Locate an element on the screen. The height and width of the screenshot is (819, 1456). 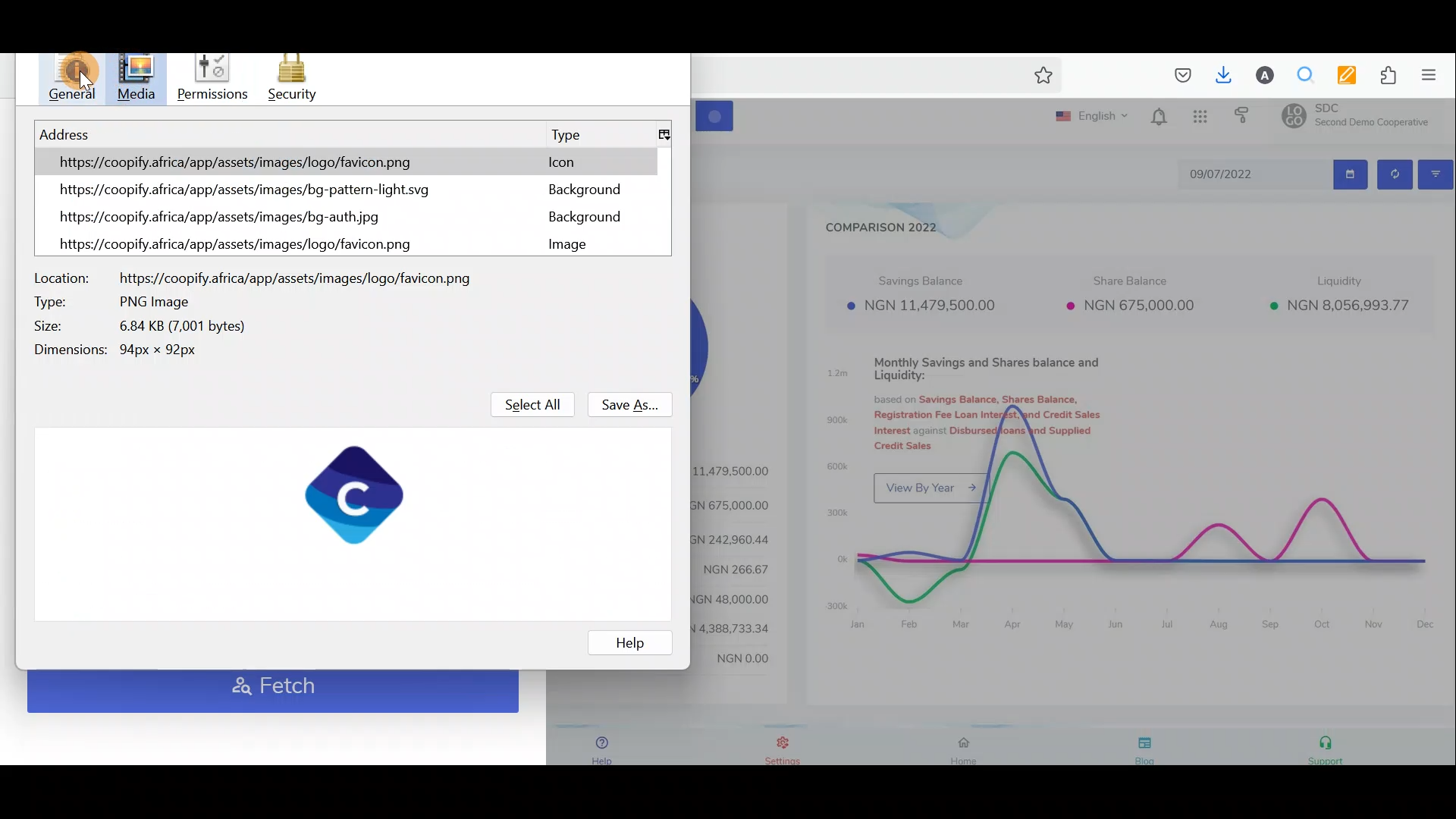
Multiple search & highlight is located at coordinates (1300, 76).